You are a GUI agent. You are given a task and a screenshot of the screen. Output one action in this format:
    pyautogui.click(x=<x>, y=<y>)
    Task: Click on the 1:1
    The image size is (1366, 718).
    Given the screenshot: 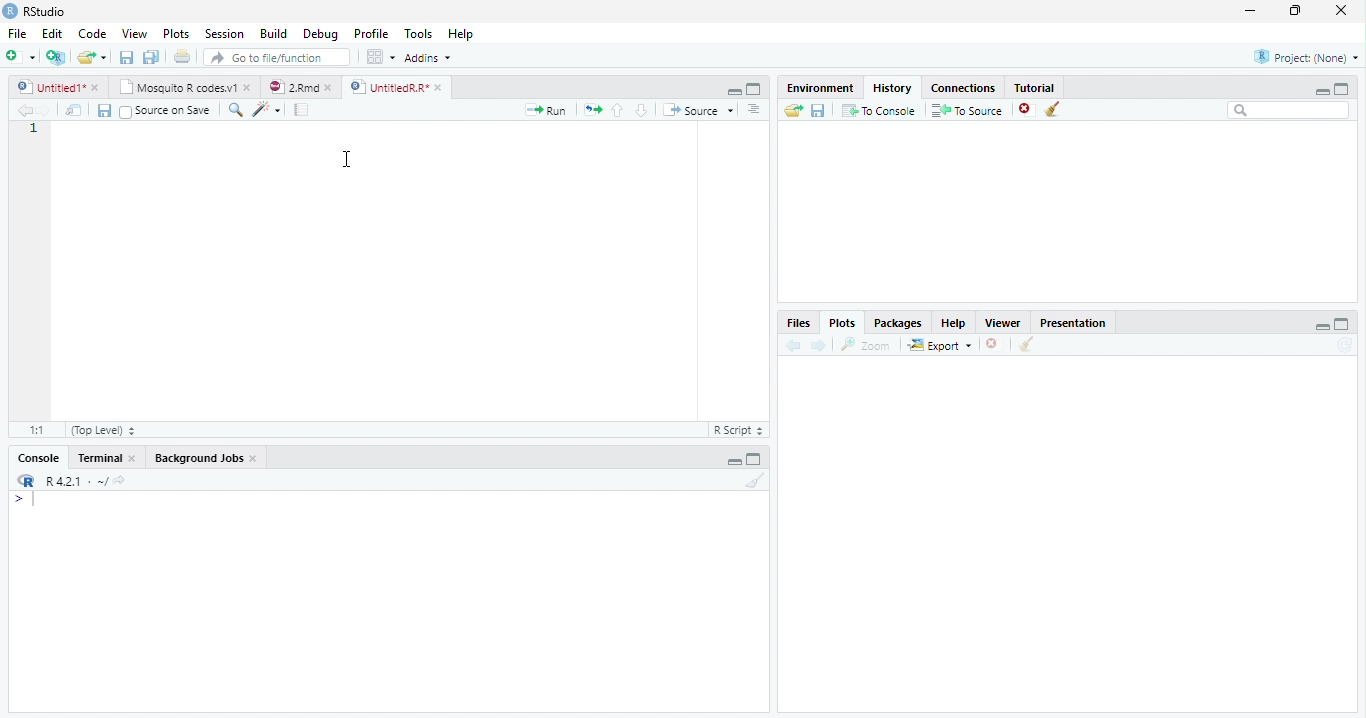 What is the action you would take?
    pyautogui.click(x=40, y=430)
    